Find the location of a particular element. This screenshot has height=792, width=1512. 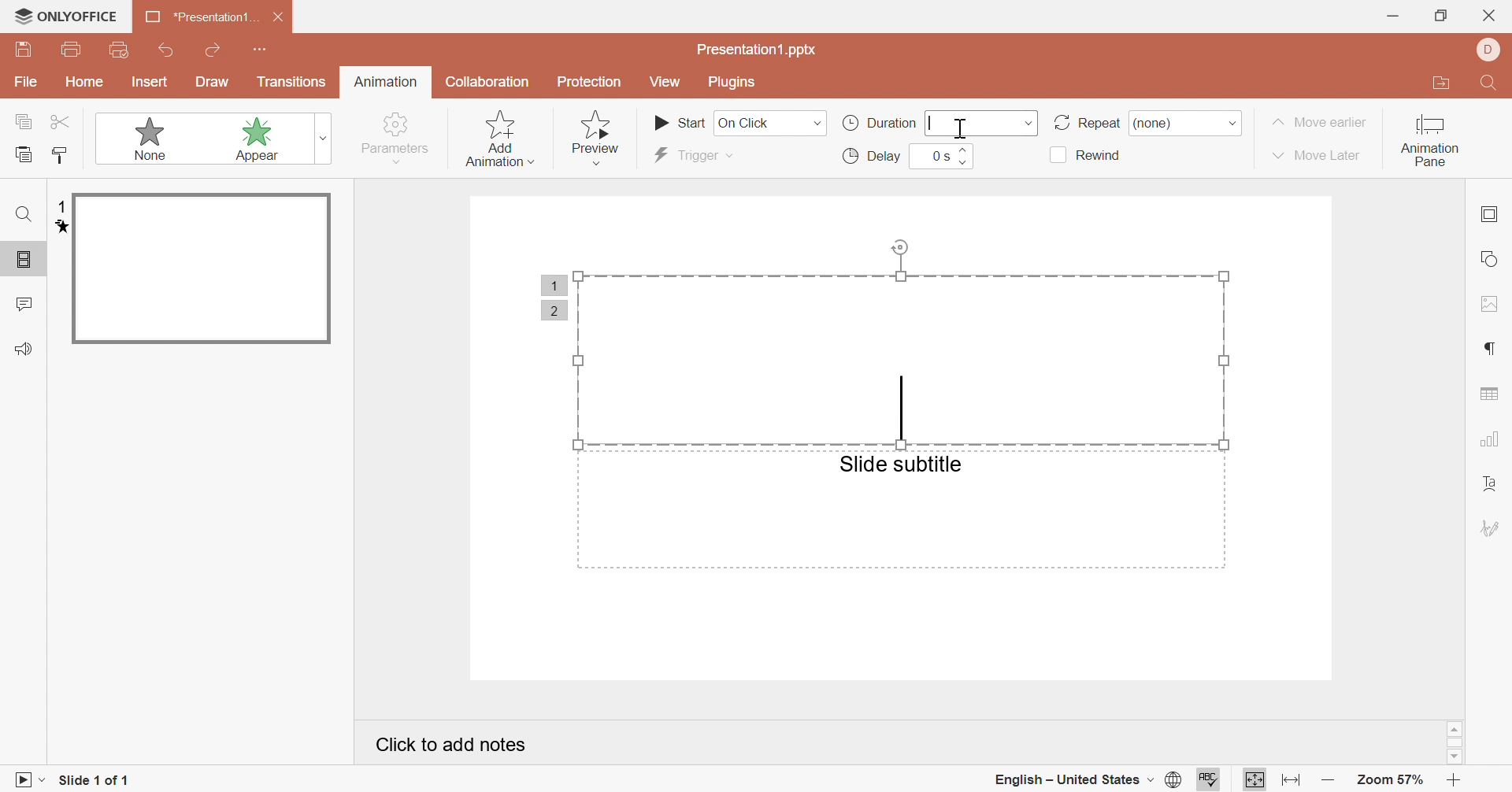

customize quick access toolbar is located at coordinates (260, 50).